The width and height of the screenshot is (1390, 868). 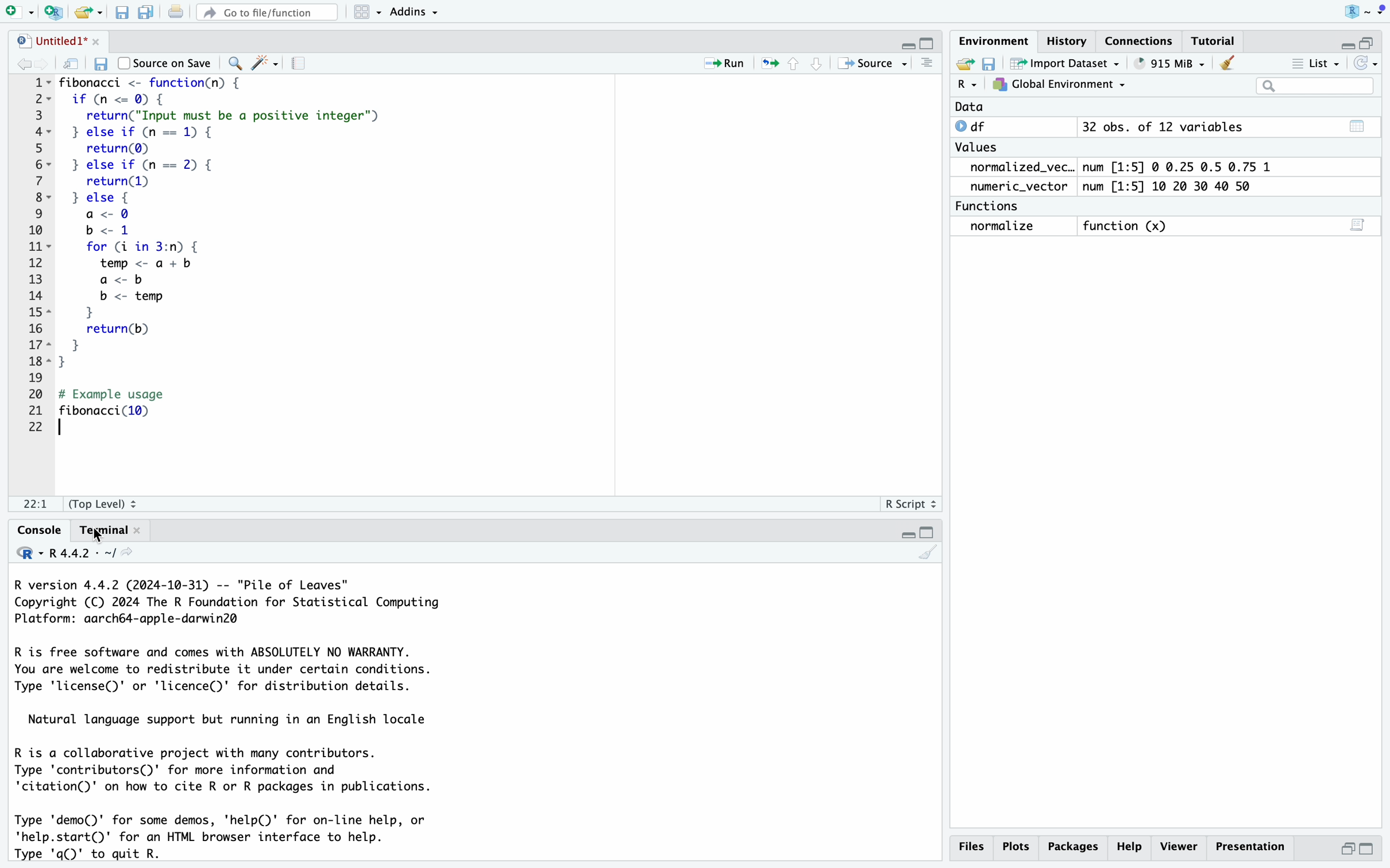 I want to click on normalize, so click(x=1001, y=227).